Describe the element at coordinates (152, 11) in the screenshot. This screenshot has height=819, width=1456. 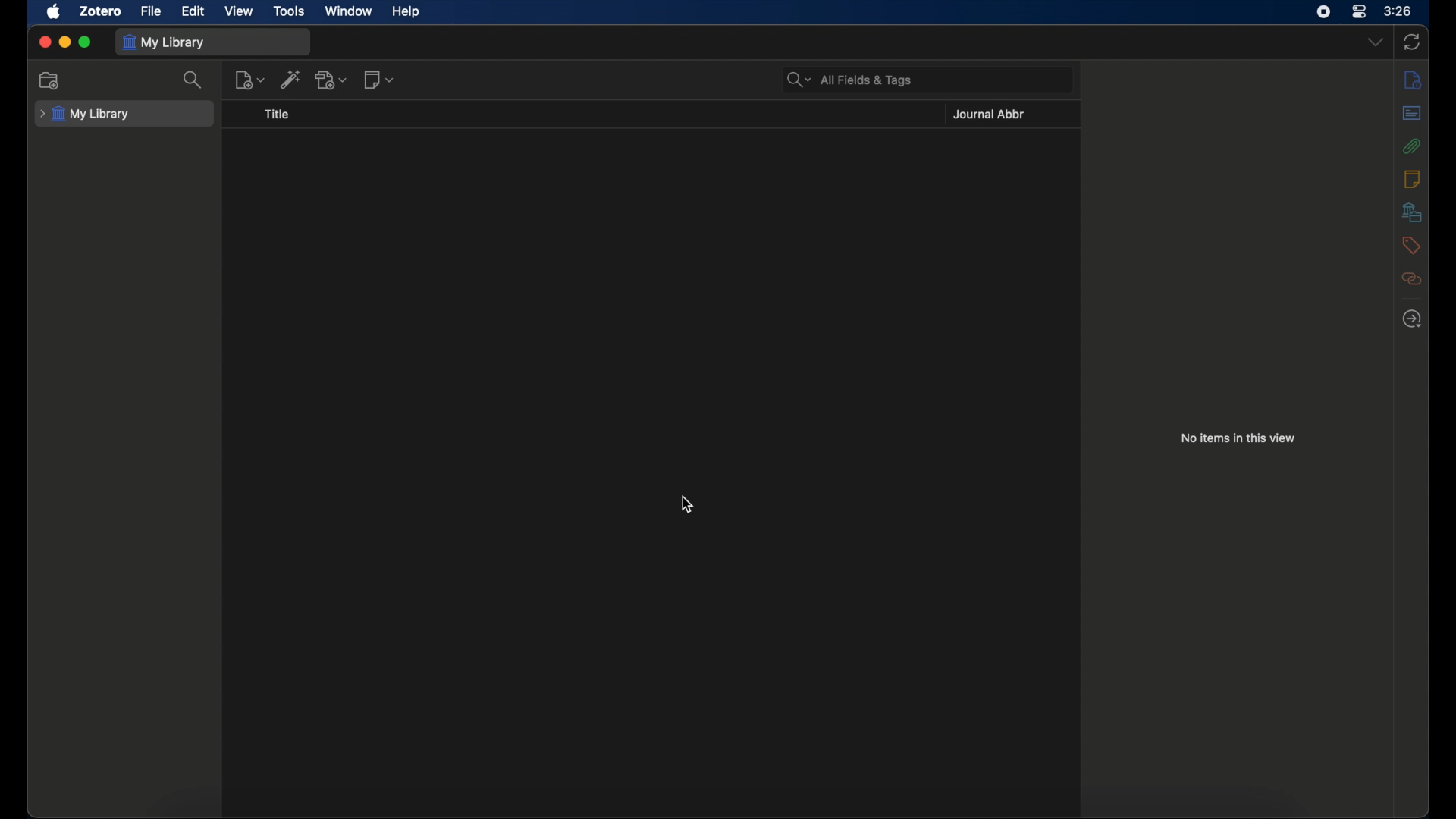
I see `file` at that location.